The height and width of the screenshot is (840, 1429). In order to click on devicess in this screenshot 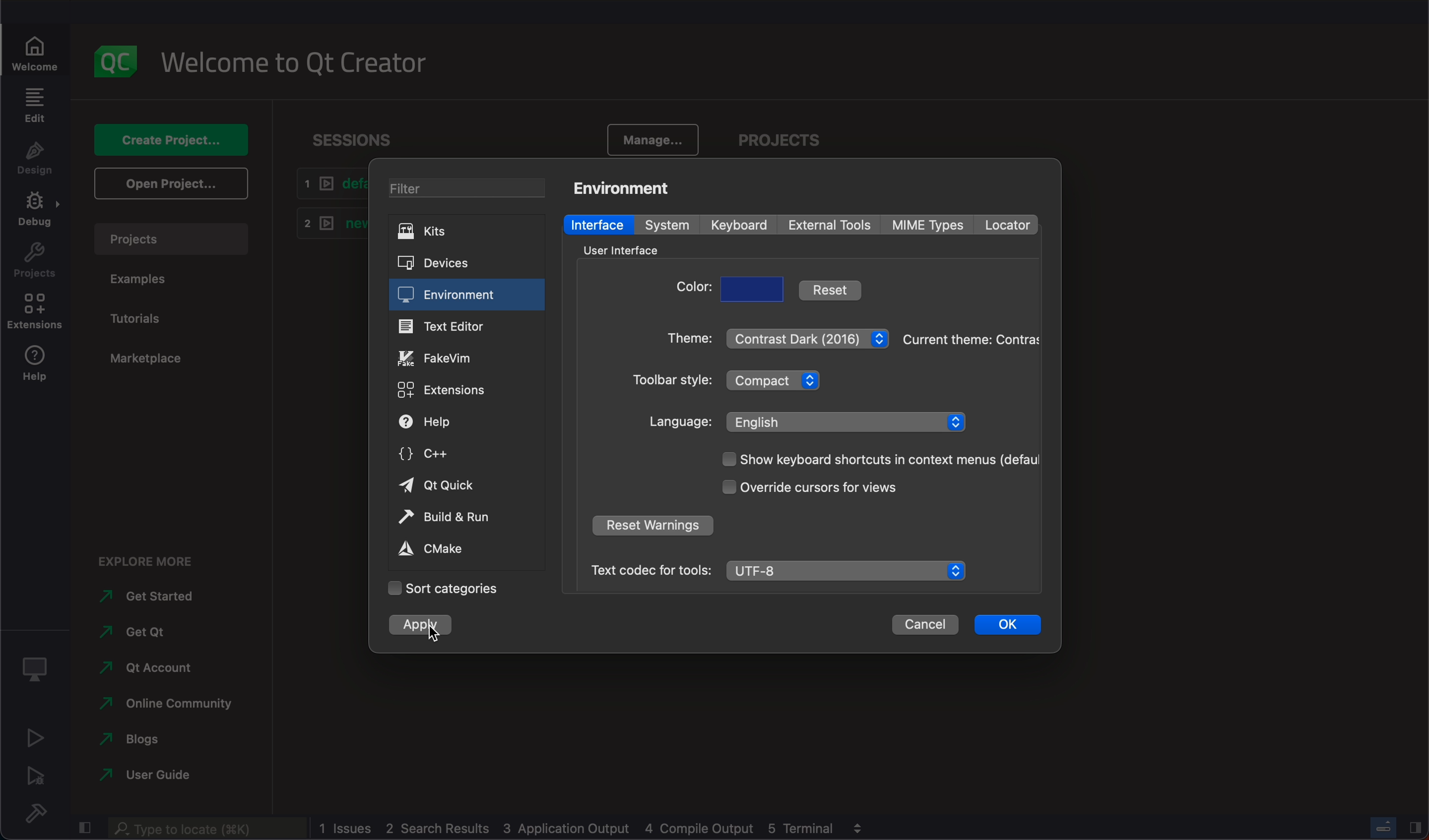, I will do `click(463, 262)`.